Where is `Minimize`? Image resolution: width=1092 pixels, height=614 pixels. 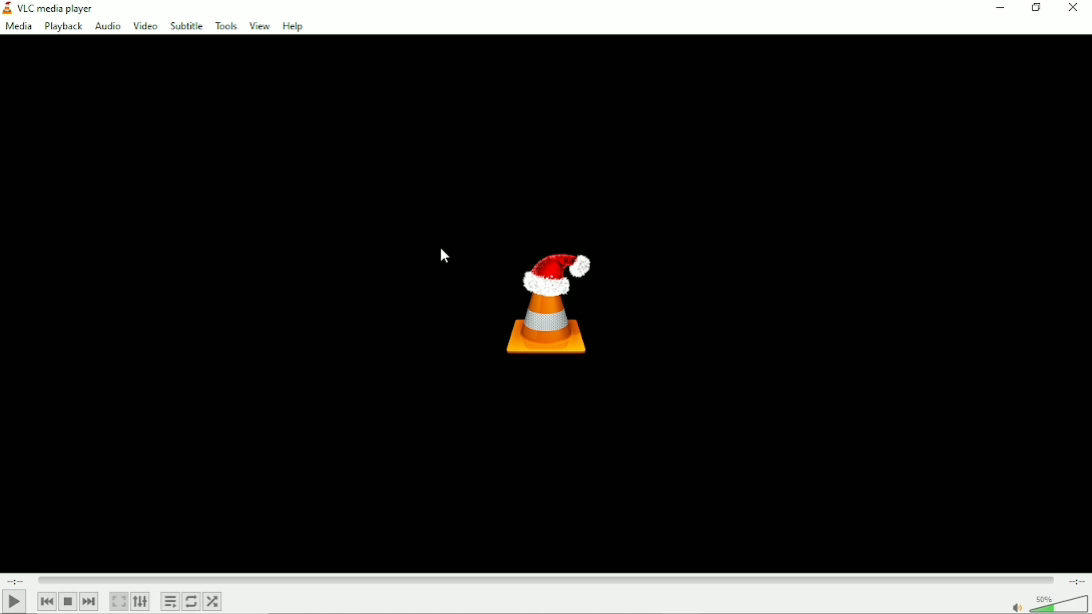
Minimize is located at coordinates (1003, 9).